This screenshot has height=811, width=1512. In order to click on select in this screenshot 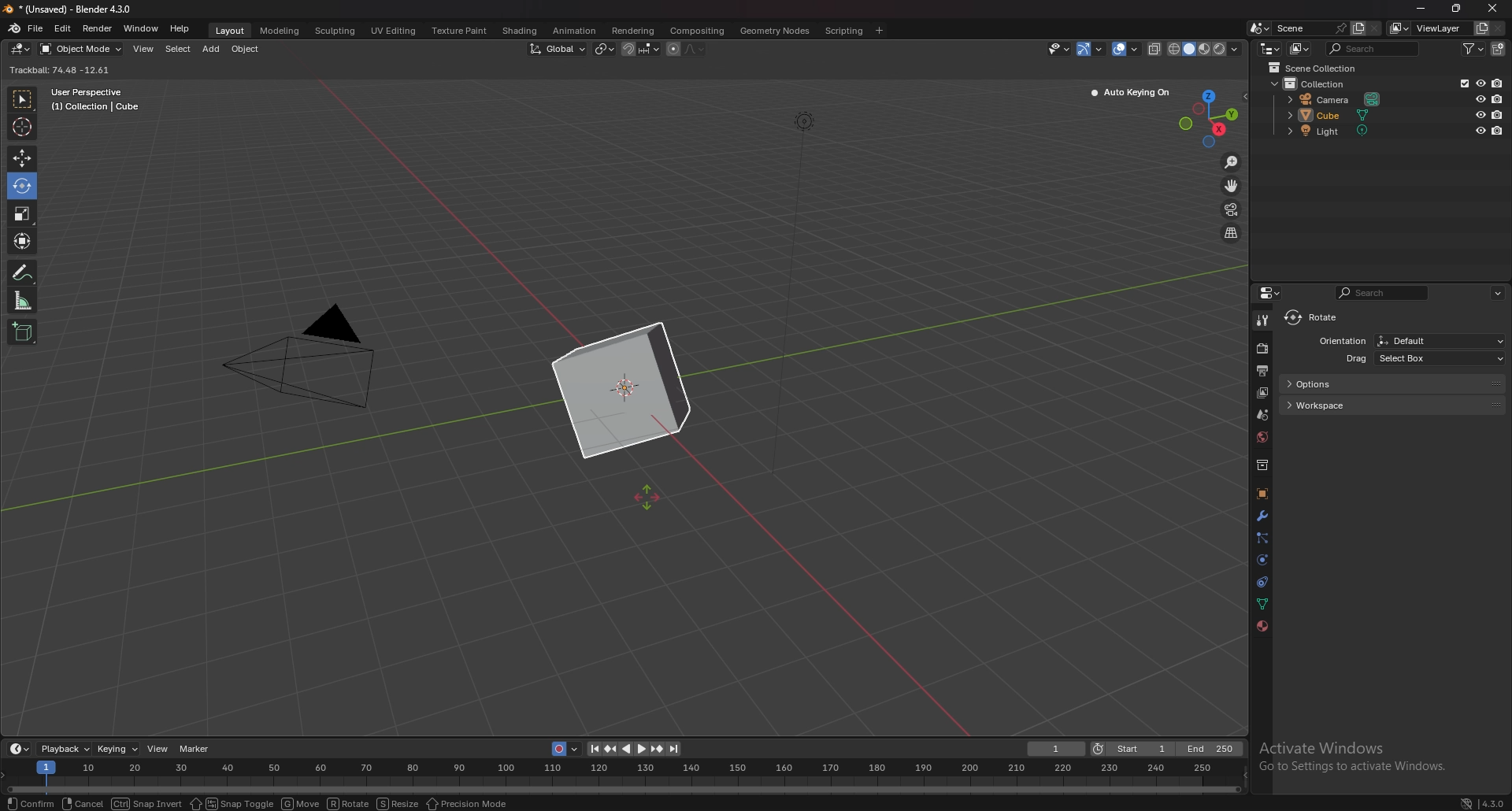, I will do `click(179, 49)`.